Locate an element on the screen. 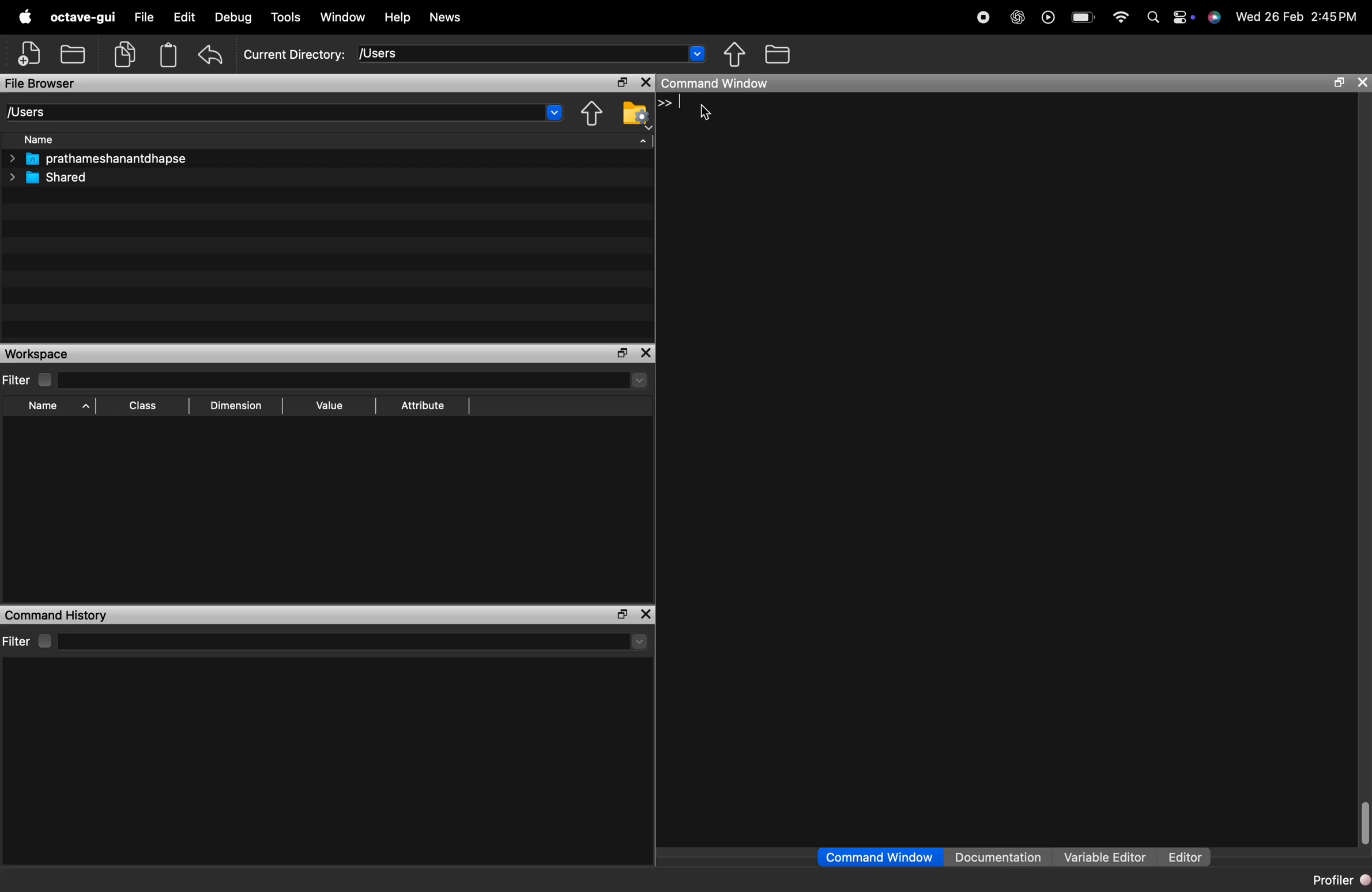 This screenshot has height=892, width=1372. Window is located at coordinates (346, 14).